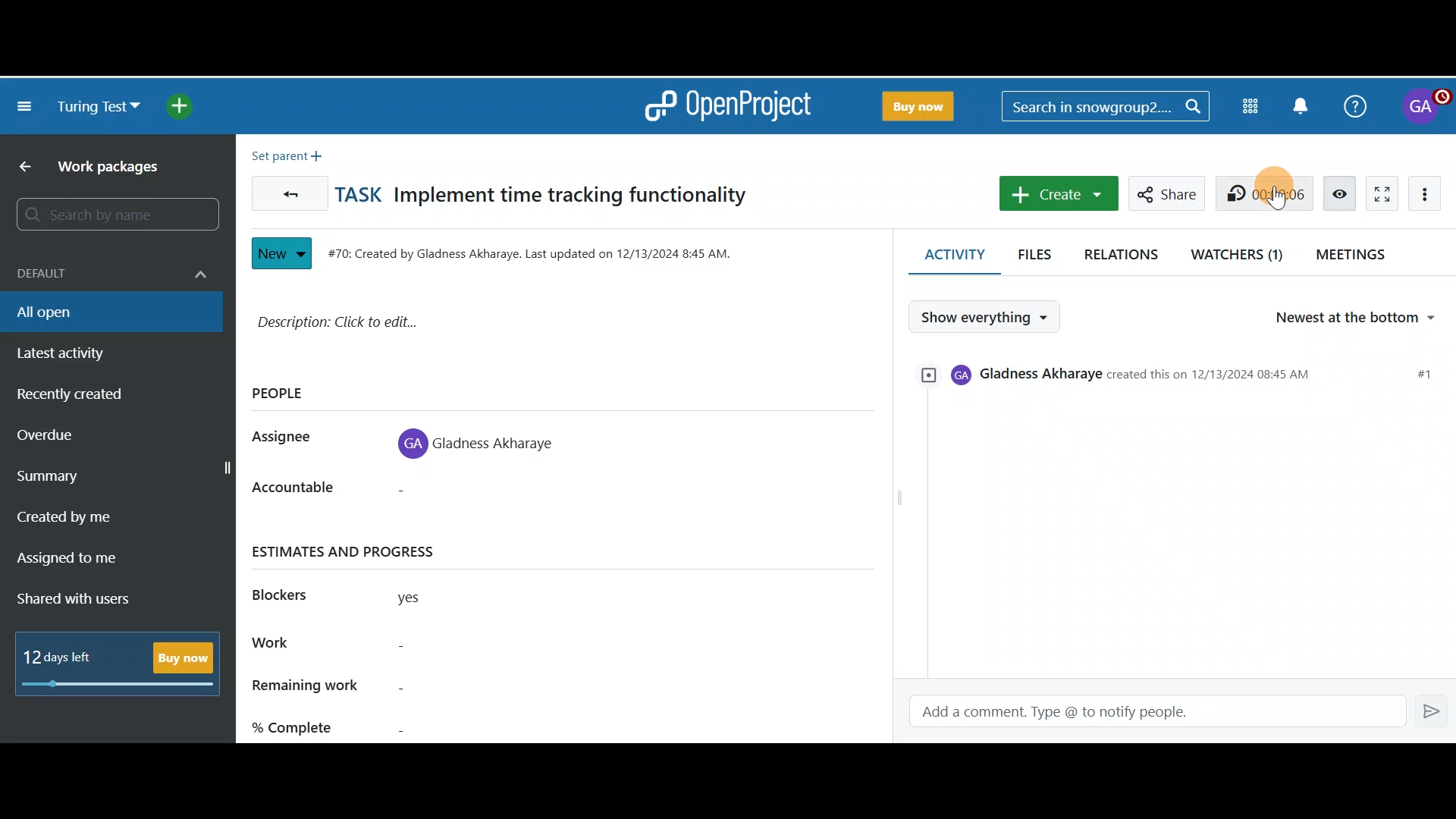  Describe the element at coordinates (362, 194) in the screenshot. I see `TASK` at that location.